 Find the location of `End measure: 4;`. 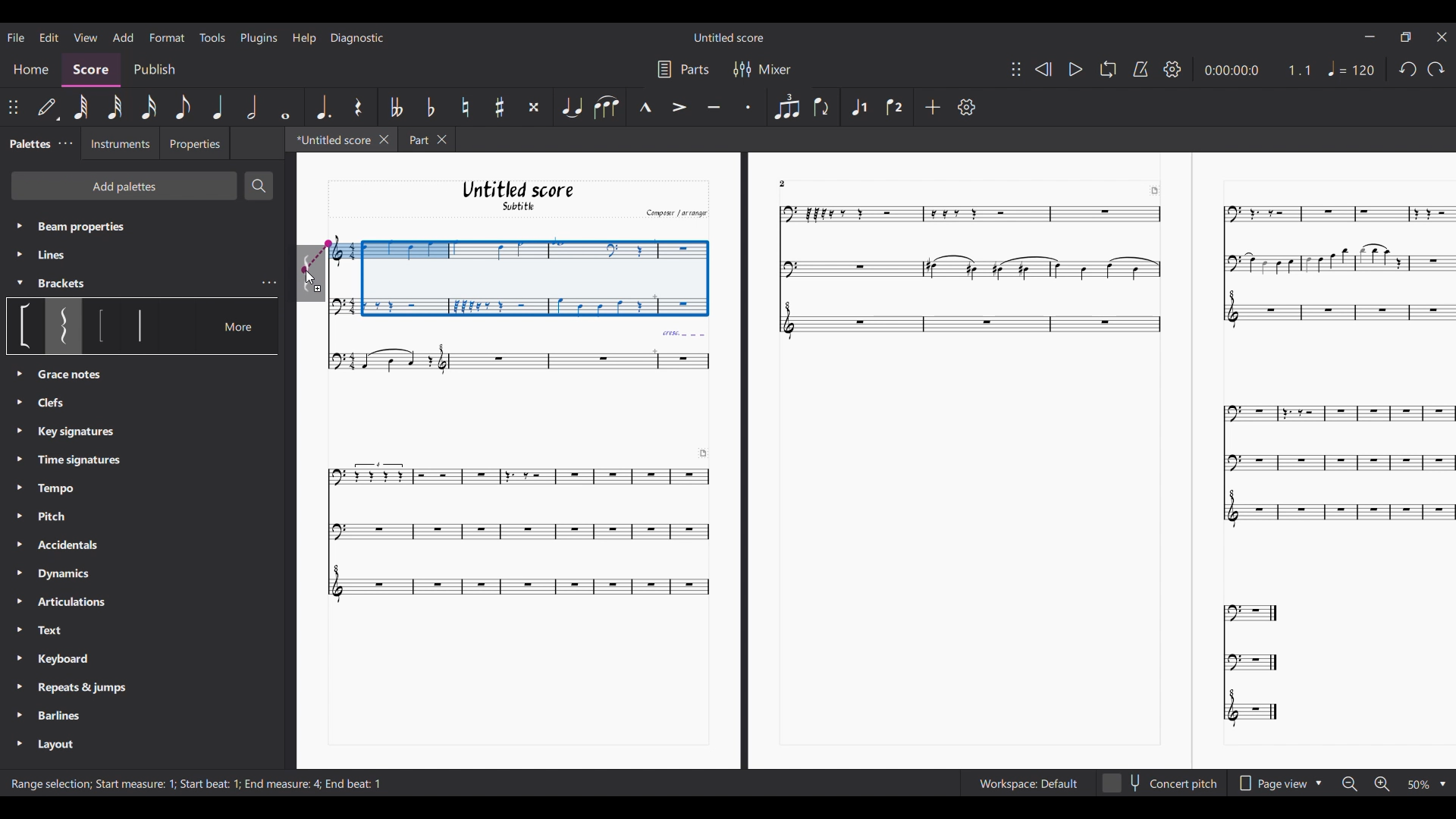

End measure: 4; is located at coordinates (282, 783).